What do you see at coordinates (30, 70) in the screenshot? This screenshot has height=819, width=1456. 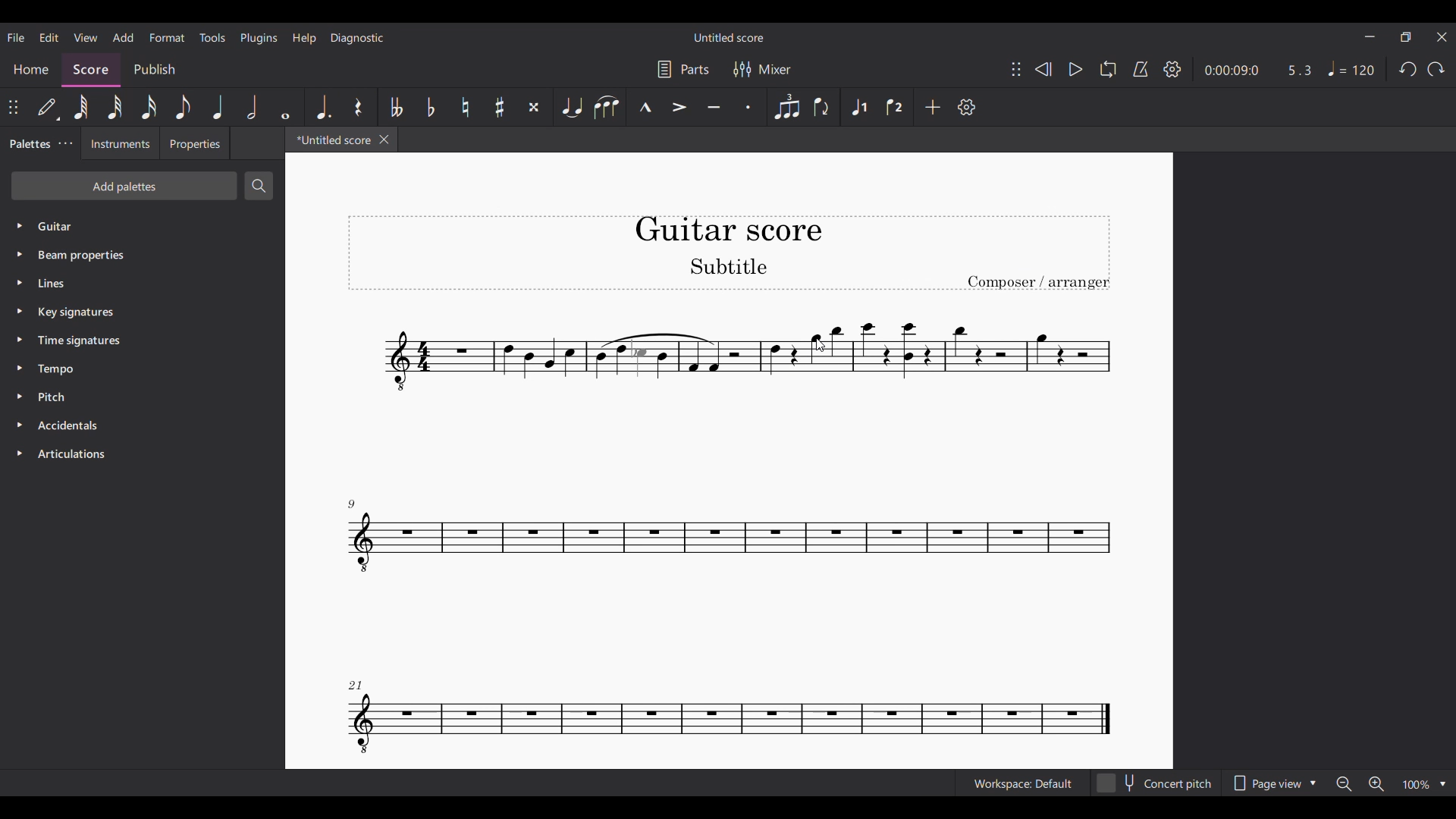 I see `Home` at bounding box center [30, 70].